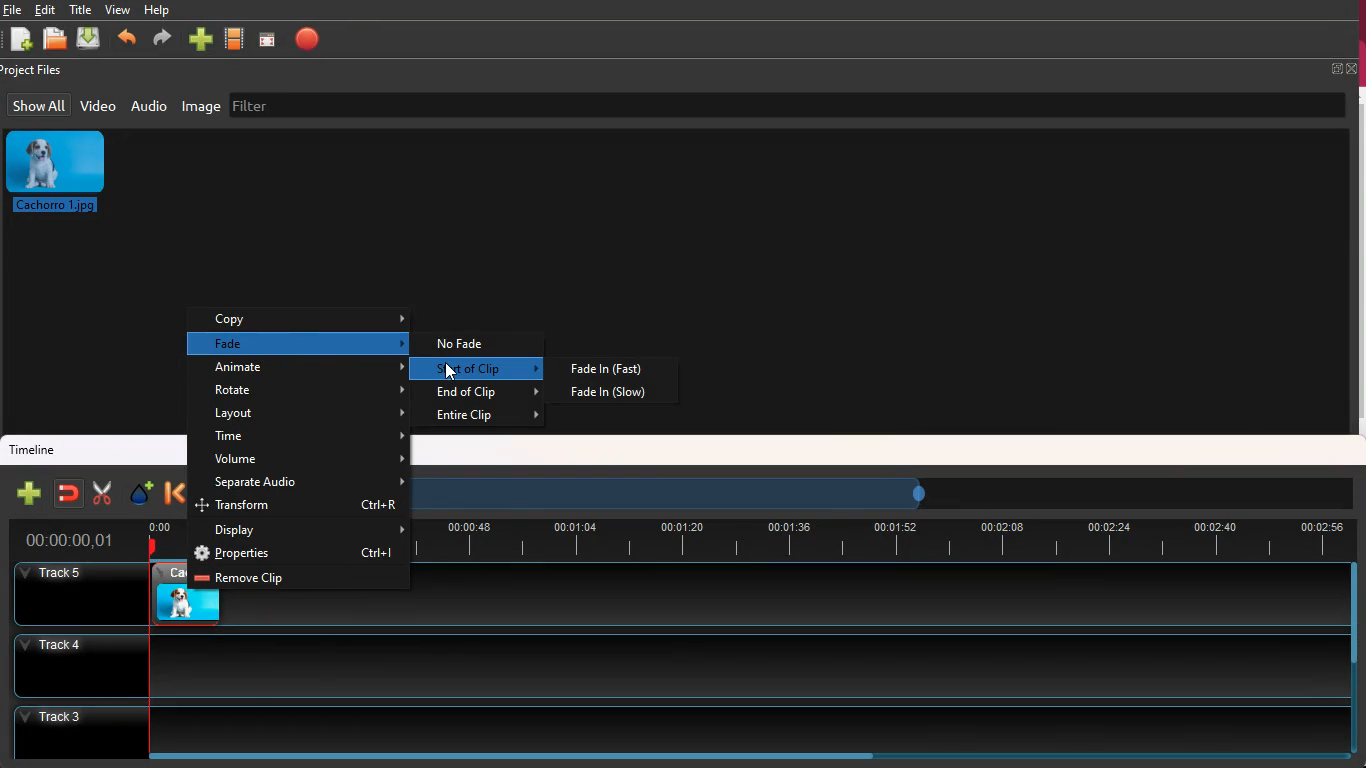  Describe the element at coordinates (451, 375) in the screenshot. I see `cursor` at that location.